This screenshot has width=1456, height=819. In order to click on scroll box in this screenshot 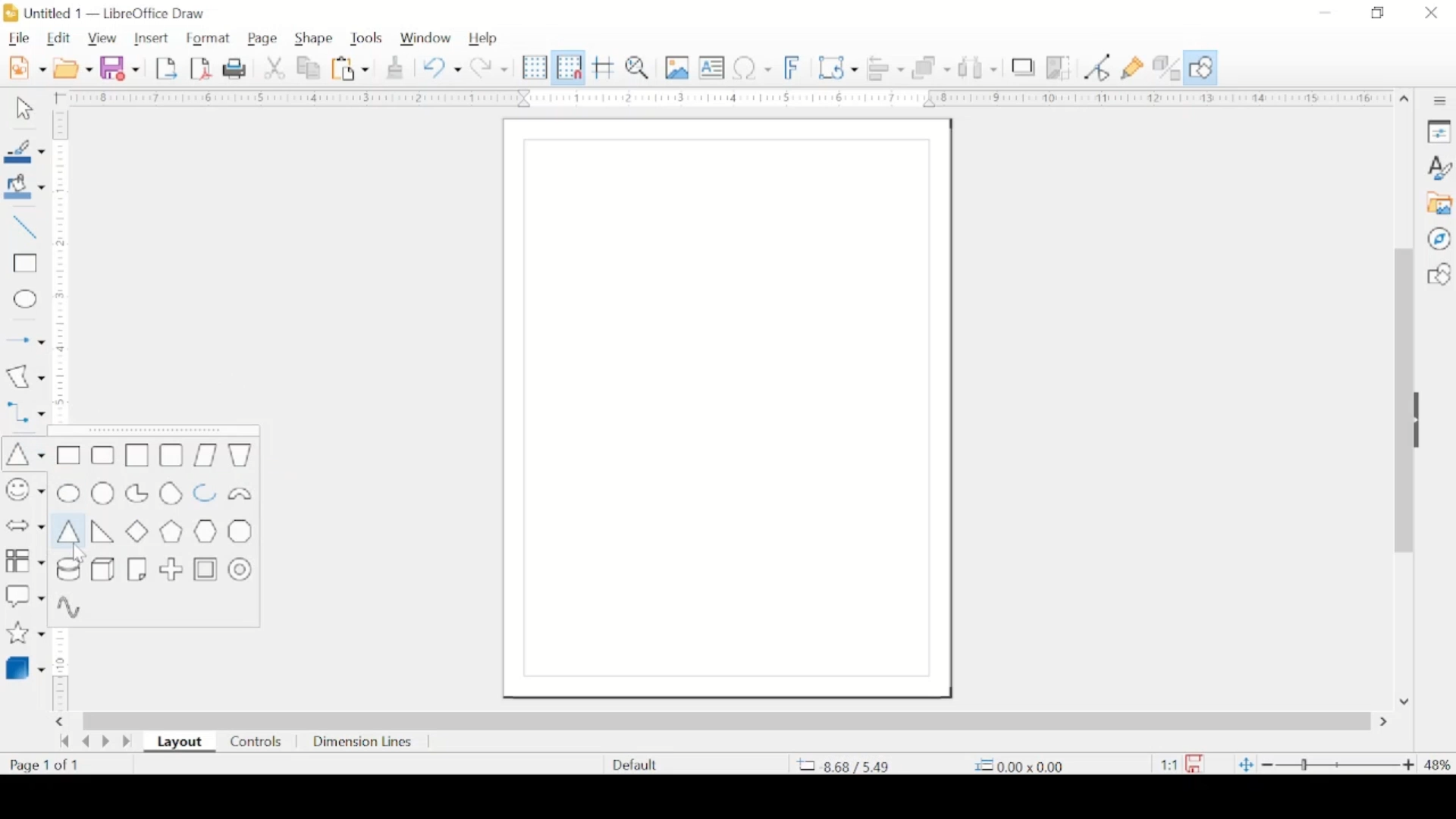, I will do `click(728, 719)`.